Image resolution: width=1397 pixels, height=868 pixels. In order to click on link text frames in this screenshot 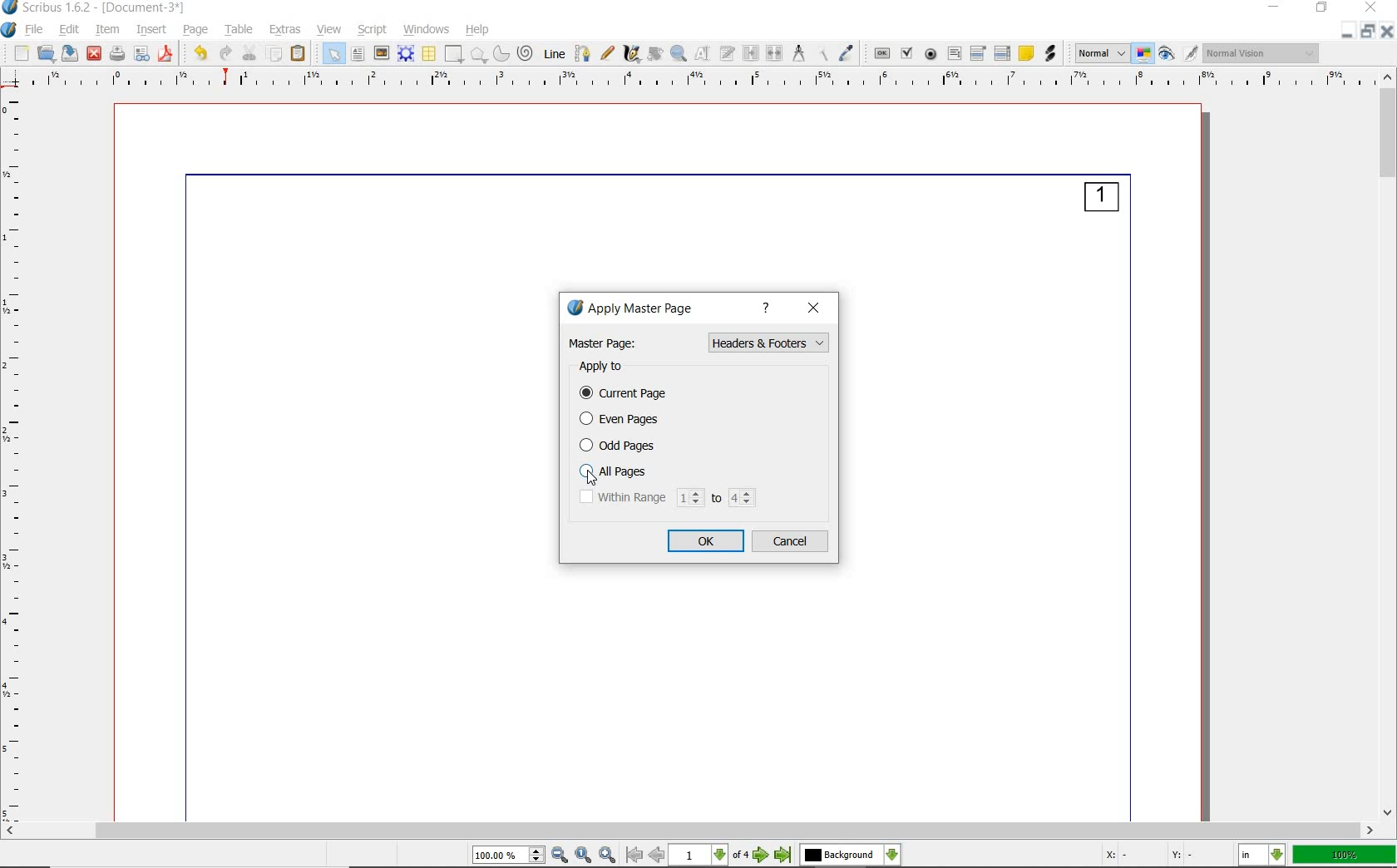, I will do `click(749, 52)`.